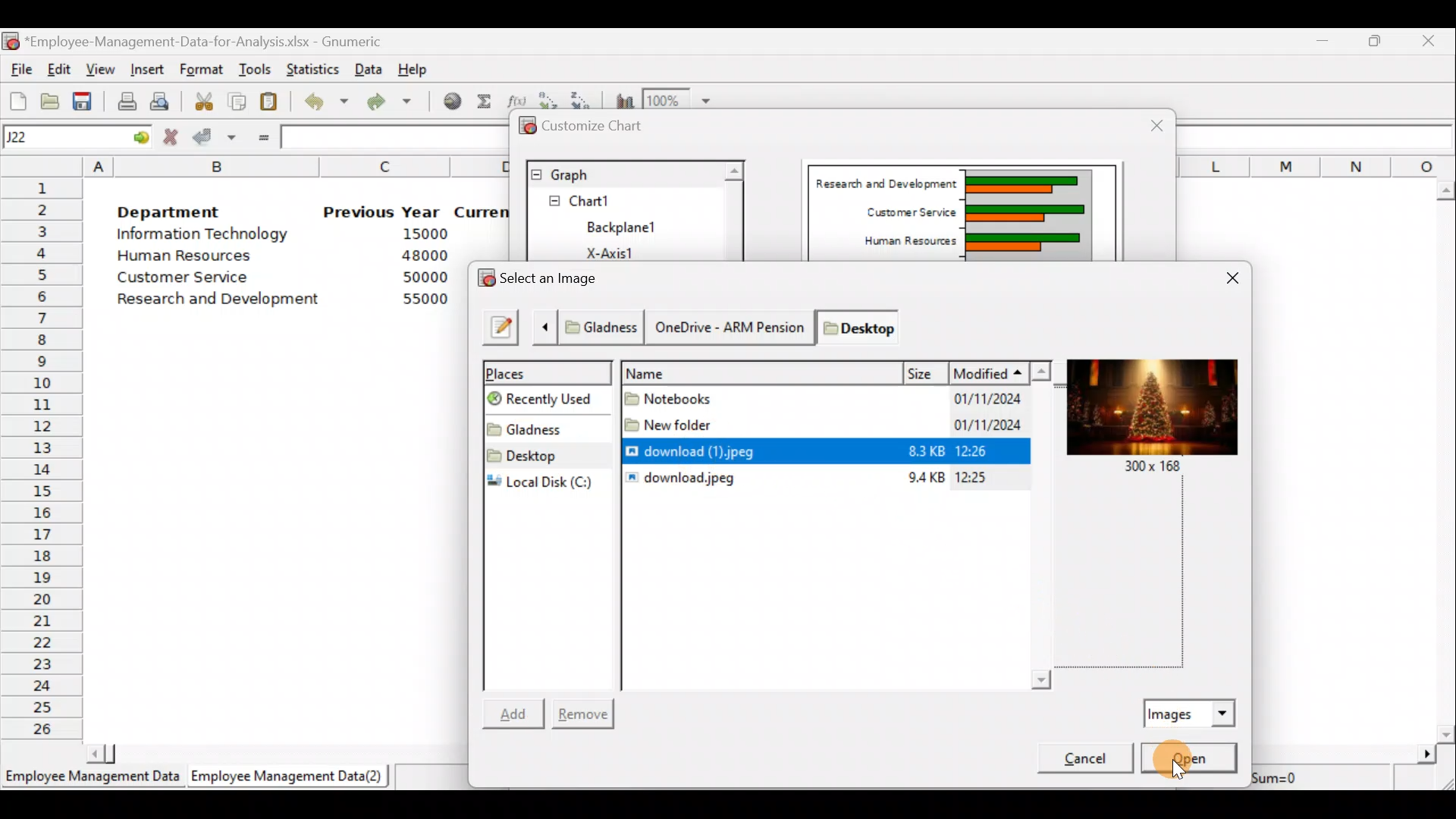 The width and height of the screenshot is (1456, 819). Describe the element at coordinates (517, 711) in the screenshot. I see `Add` at that location.